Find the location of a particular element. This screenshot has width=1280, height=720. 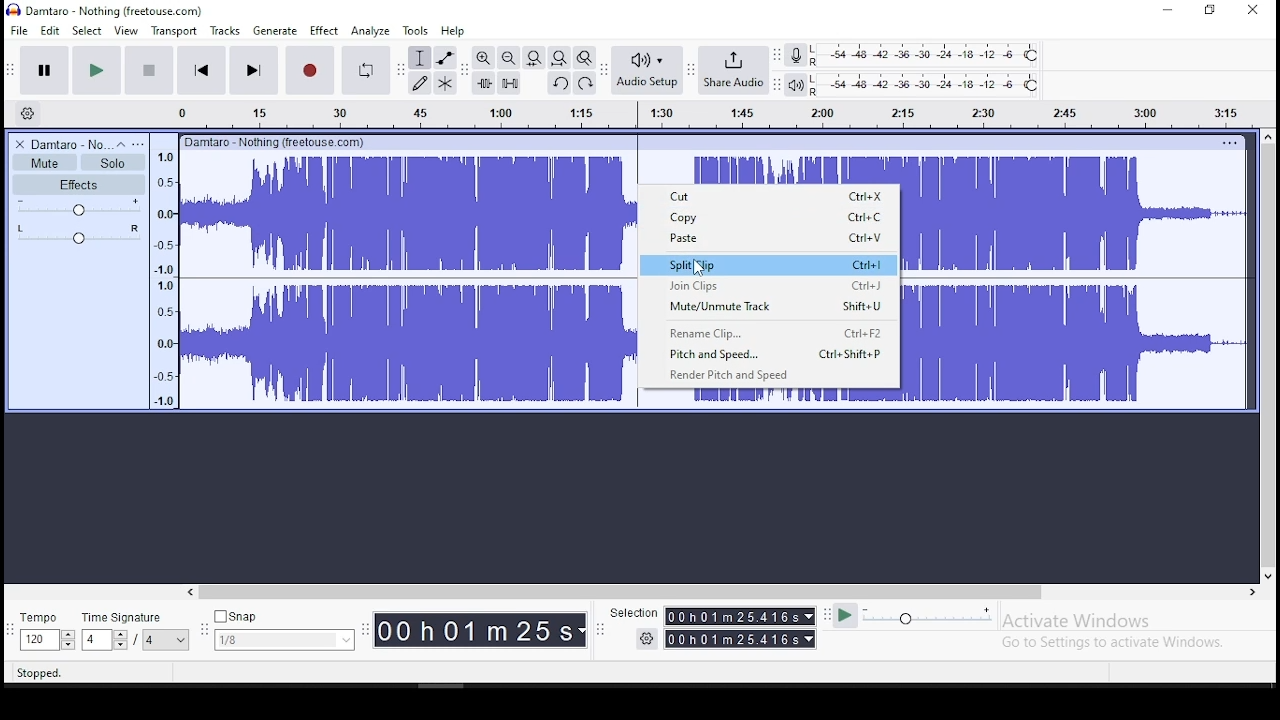

time menu is located at coordinates (739, 639).